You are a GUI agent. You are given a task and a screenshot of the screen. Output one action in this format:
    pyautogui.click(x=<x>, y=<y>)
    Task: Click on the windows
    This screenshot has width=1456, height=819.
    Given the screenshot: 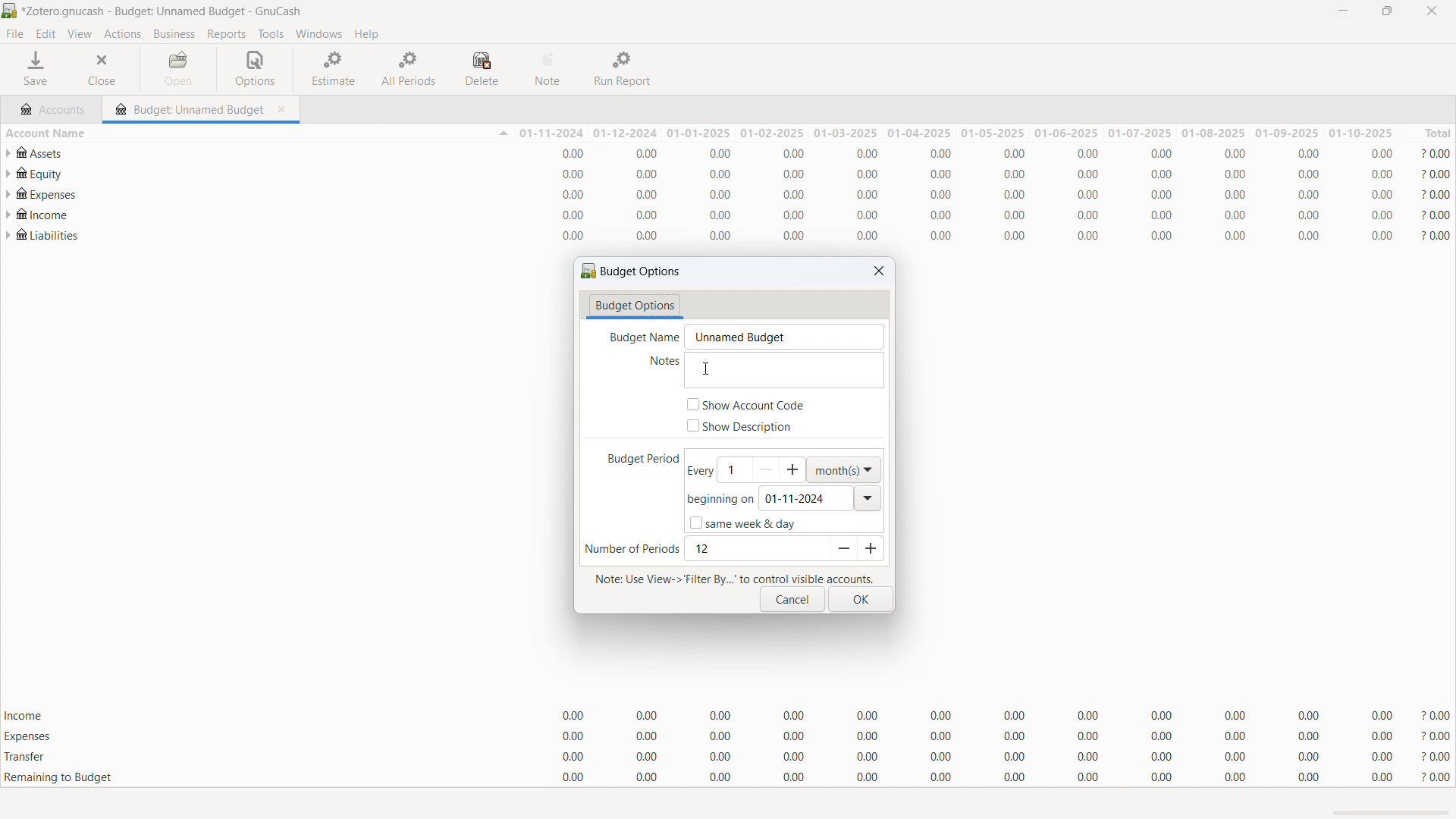 What is the action you would take?
    pyautogui.click(x=319, y=34)
    